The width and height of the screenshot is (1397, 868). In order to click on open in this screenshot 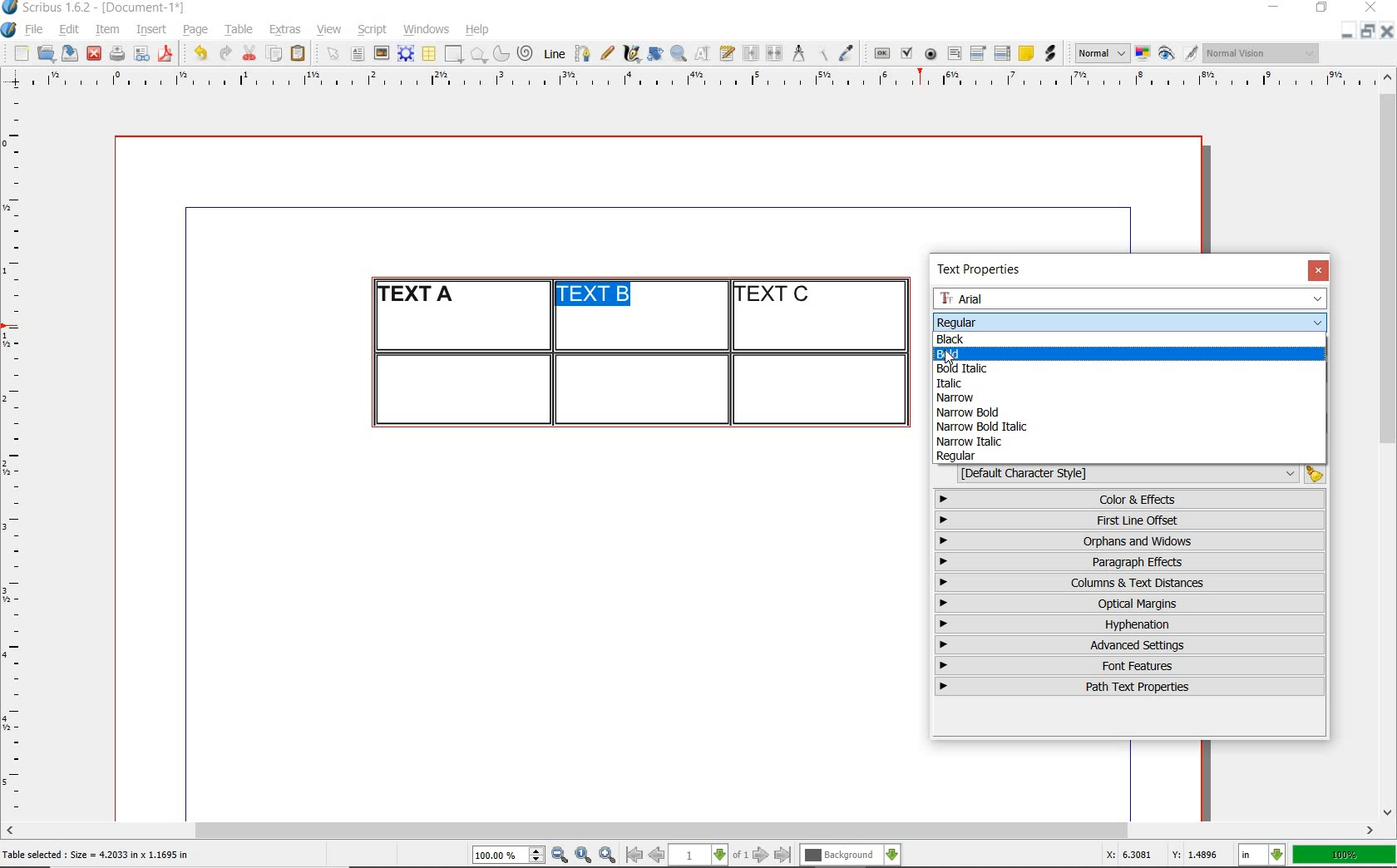, I will do `click(45, 52)`.